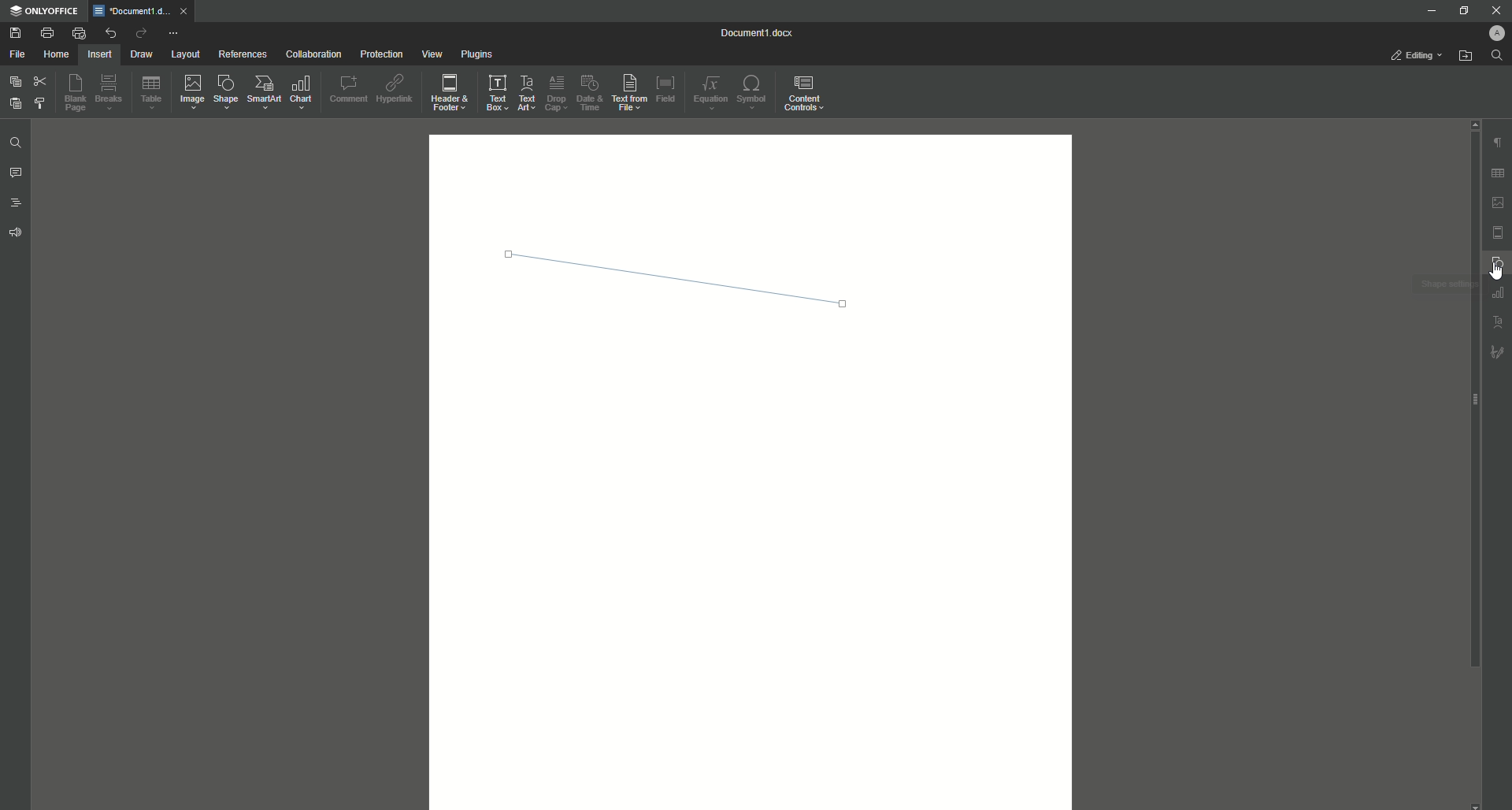 Image resolution: width=1512 pixels, height=810 pixels. I want to click on Draw, so click(141, 55).